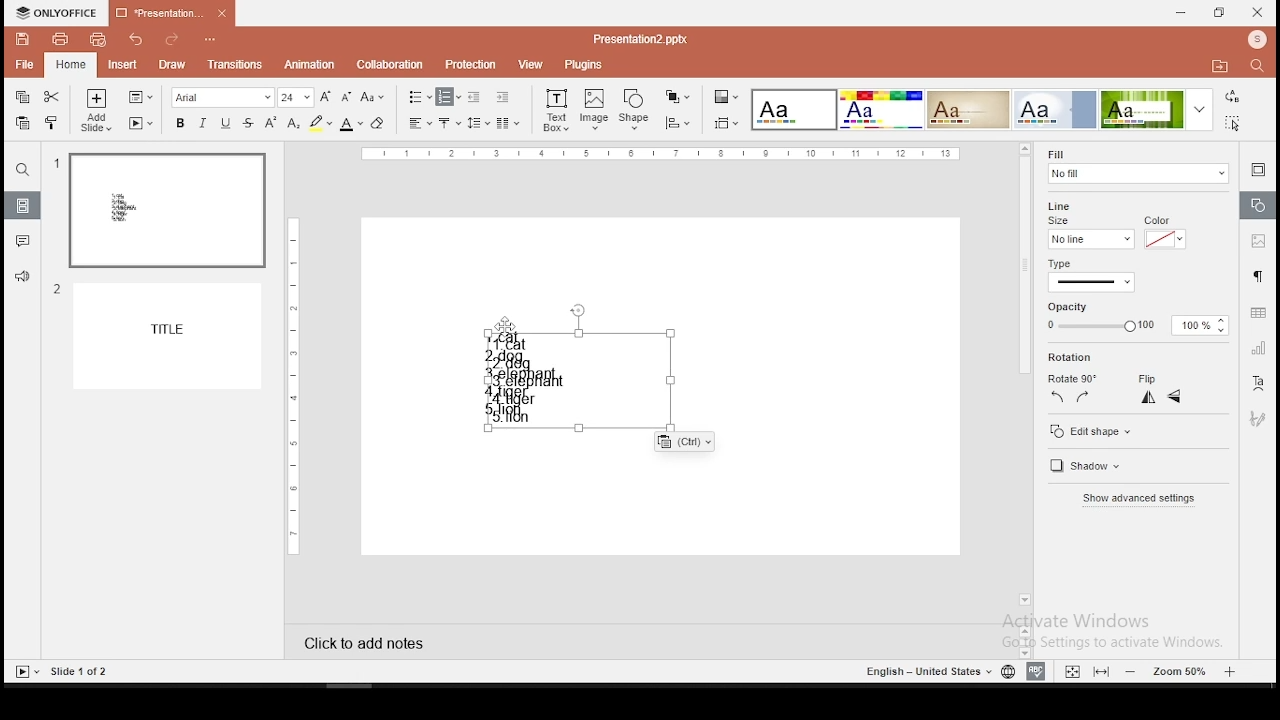  Describe the element at coordinates (1072, 669) in the screenshot. I see `fit to slide` at that location.